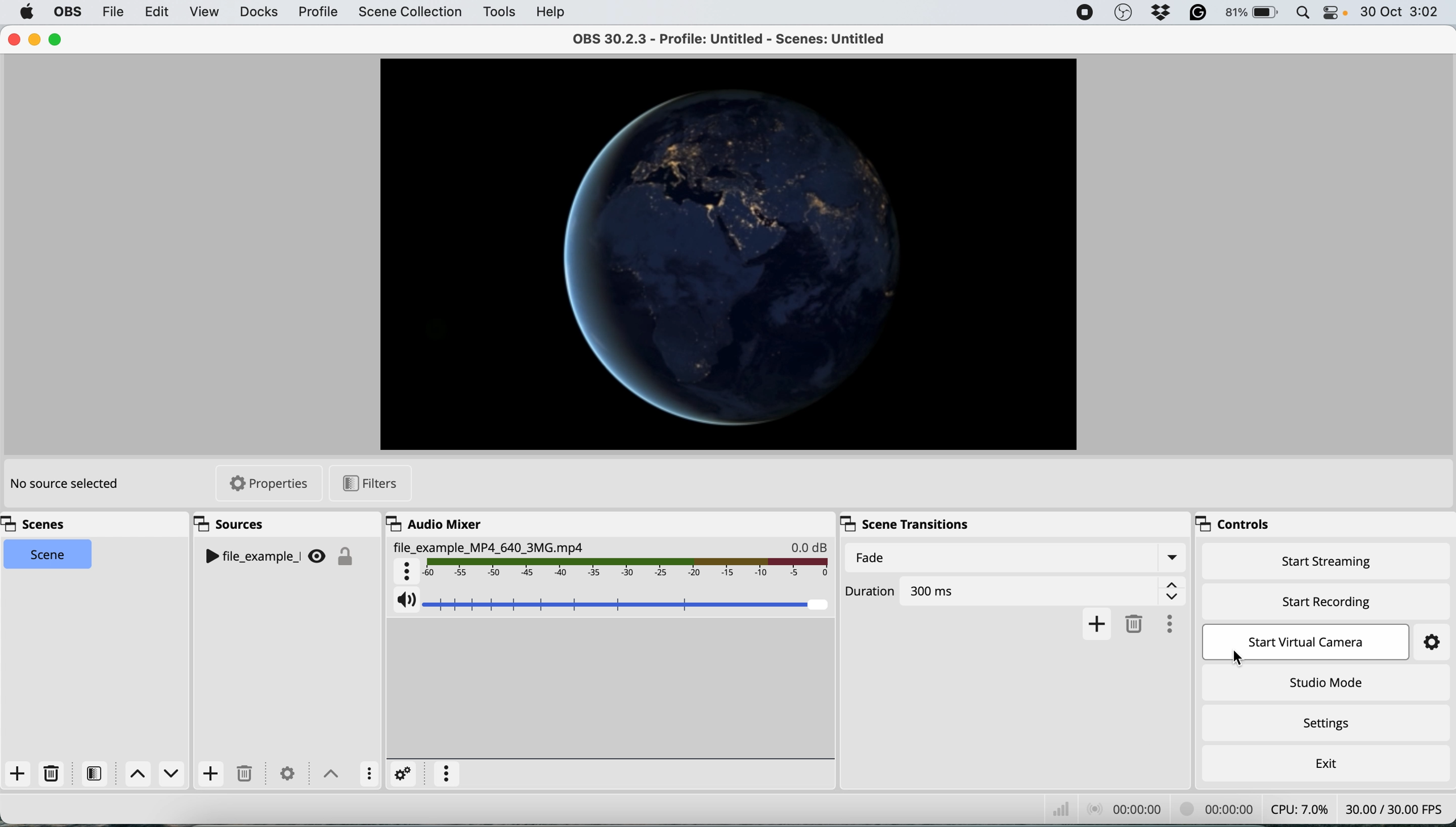 The image size is (1456, 827). I want to click on sources, so click(236, 526).